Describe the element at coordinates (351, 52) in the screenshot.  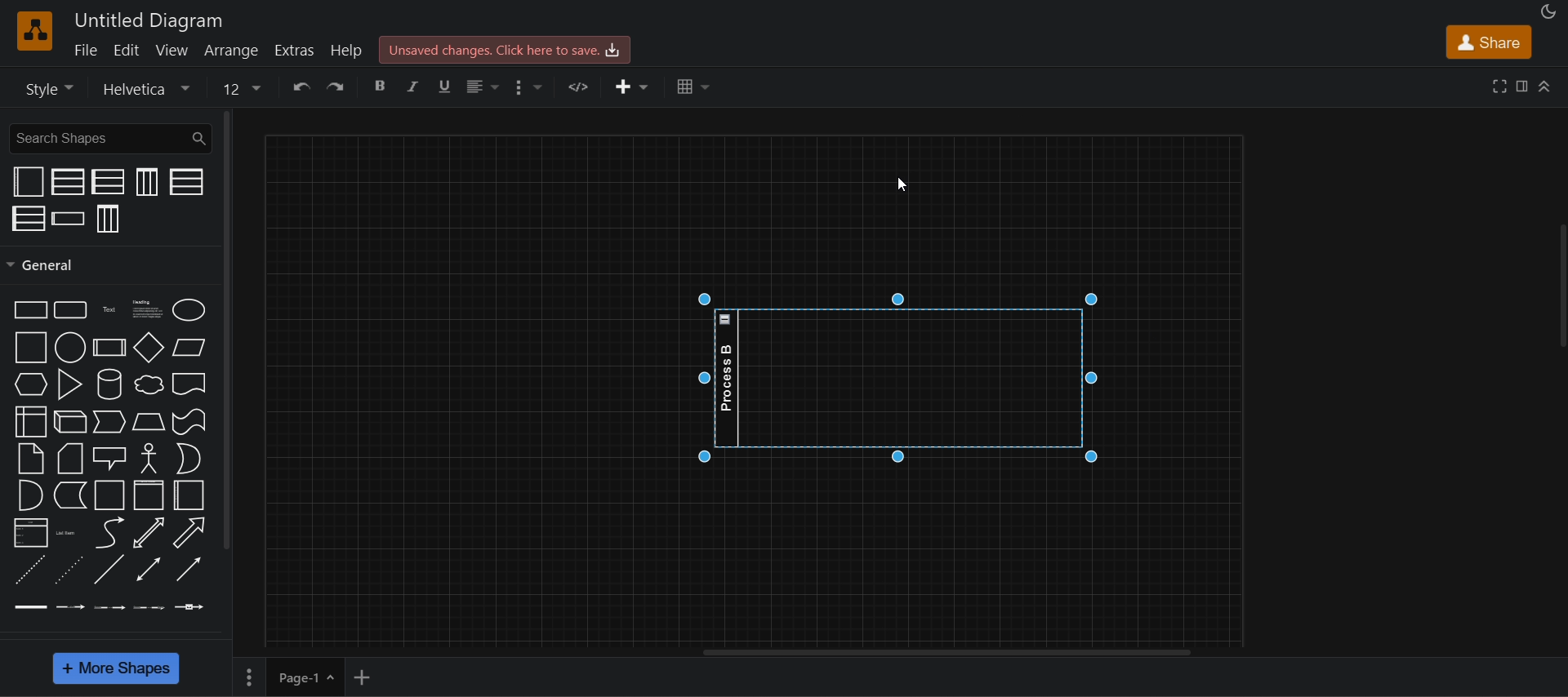
I see `help` at that location.